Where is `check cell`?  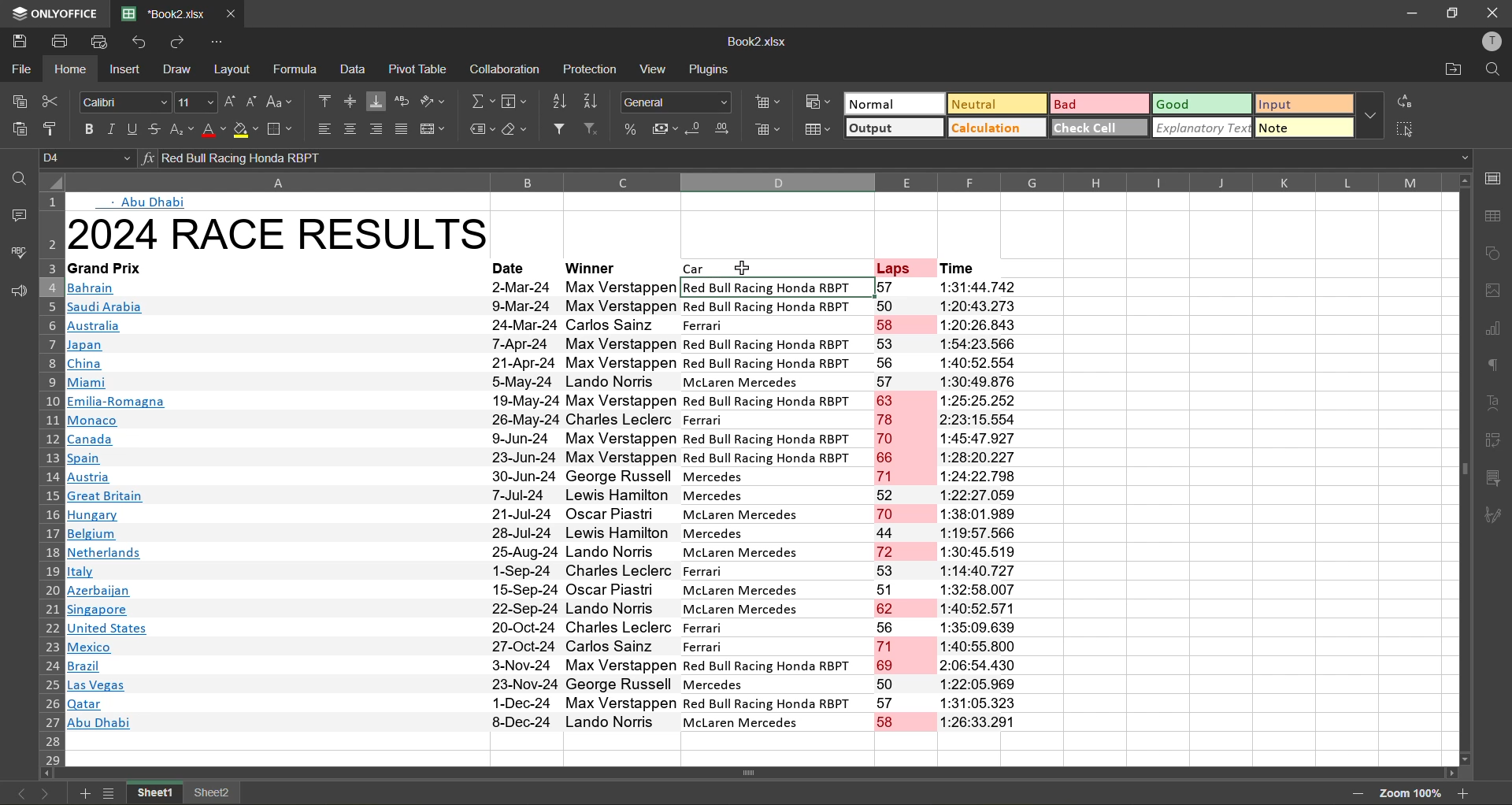
check cell is located at coordinates (1097, 129).